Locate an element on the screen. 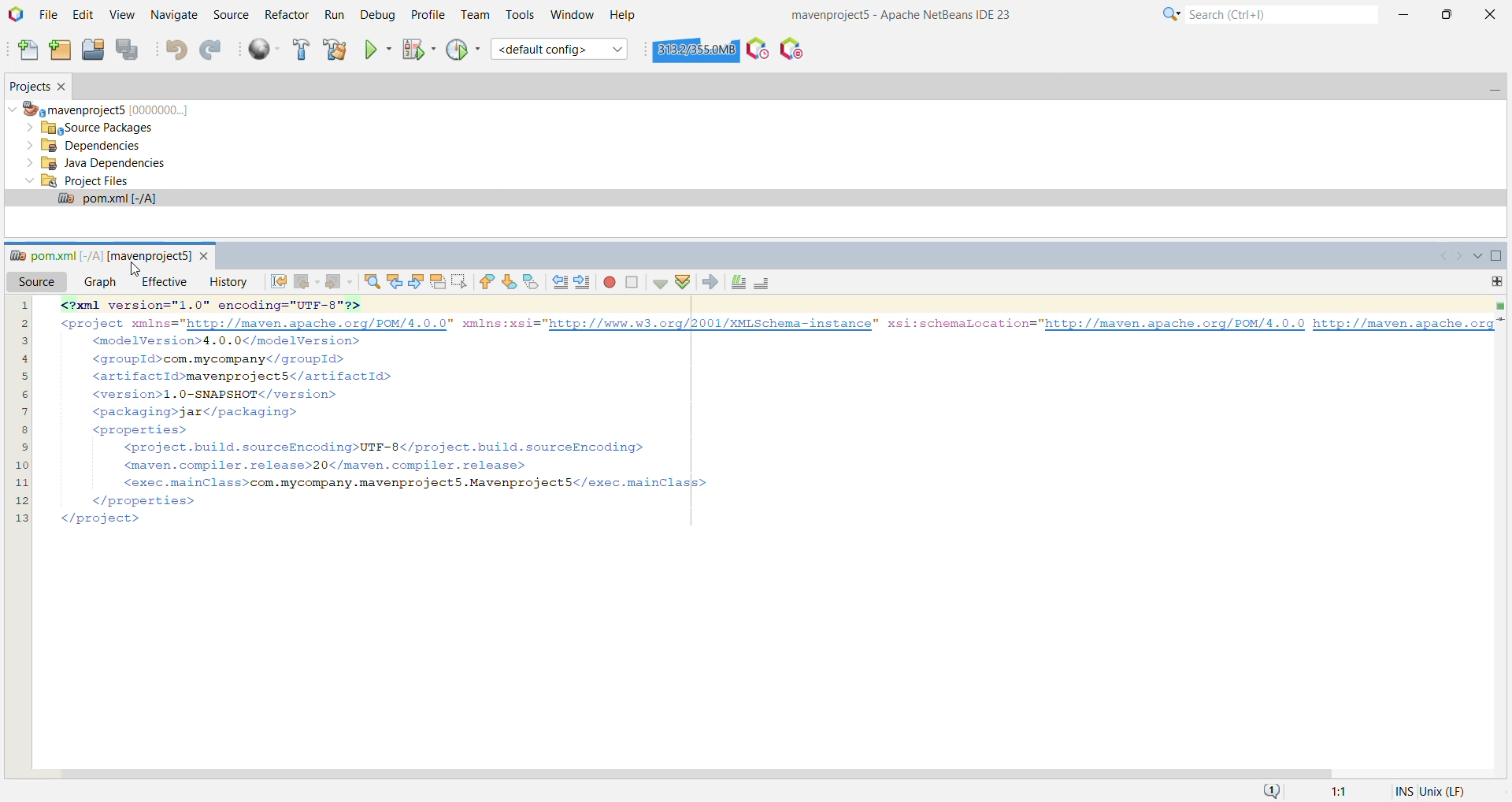  <properties> is located at coordinates (146, 430).